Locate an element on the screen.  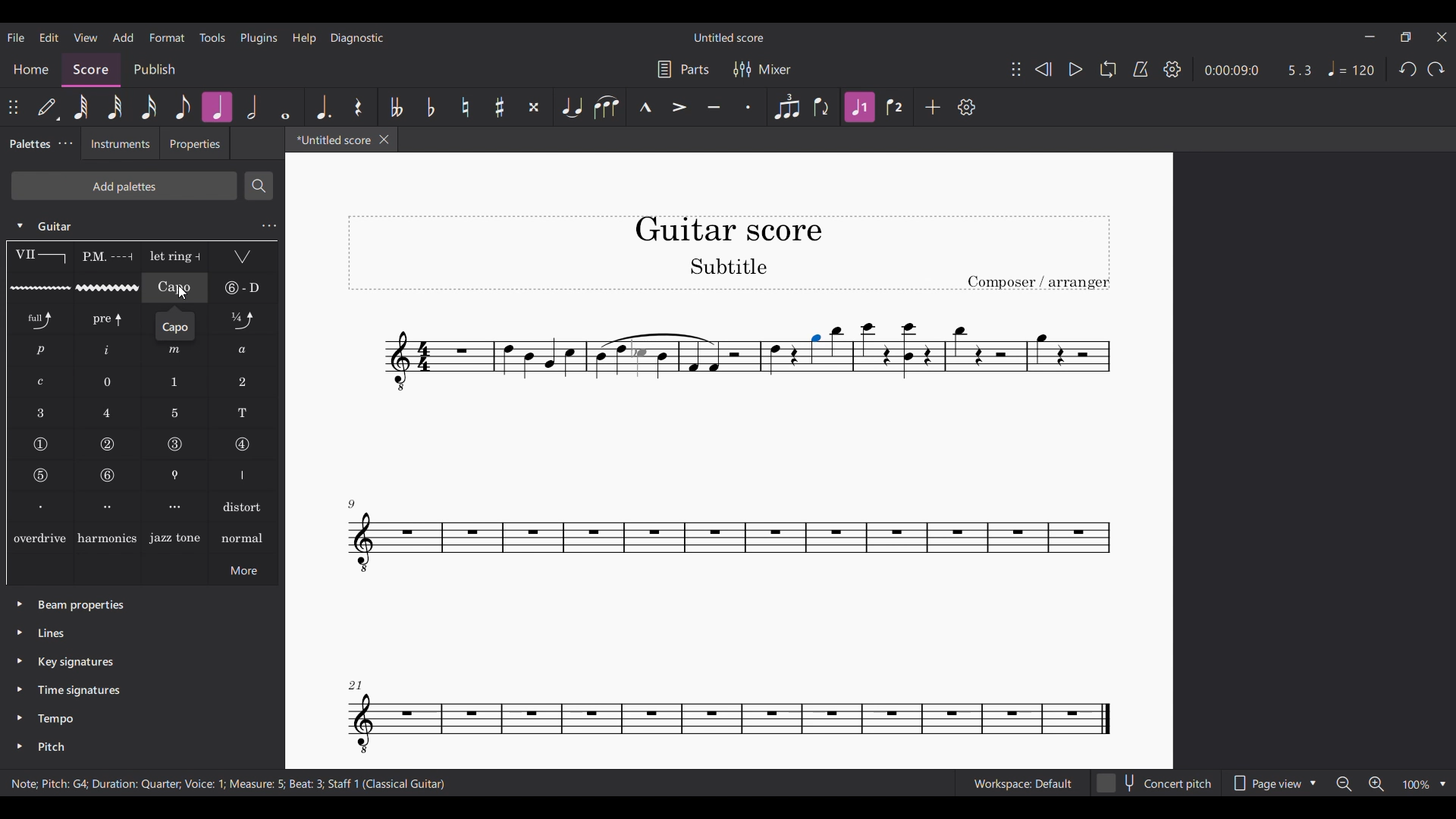
overdrive is located at coordinates (39, 537).